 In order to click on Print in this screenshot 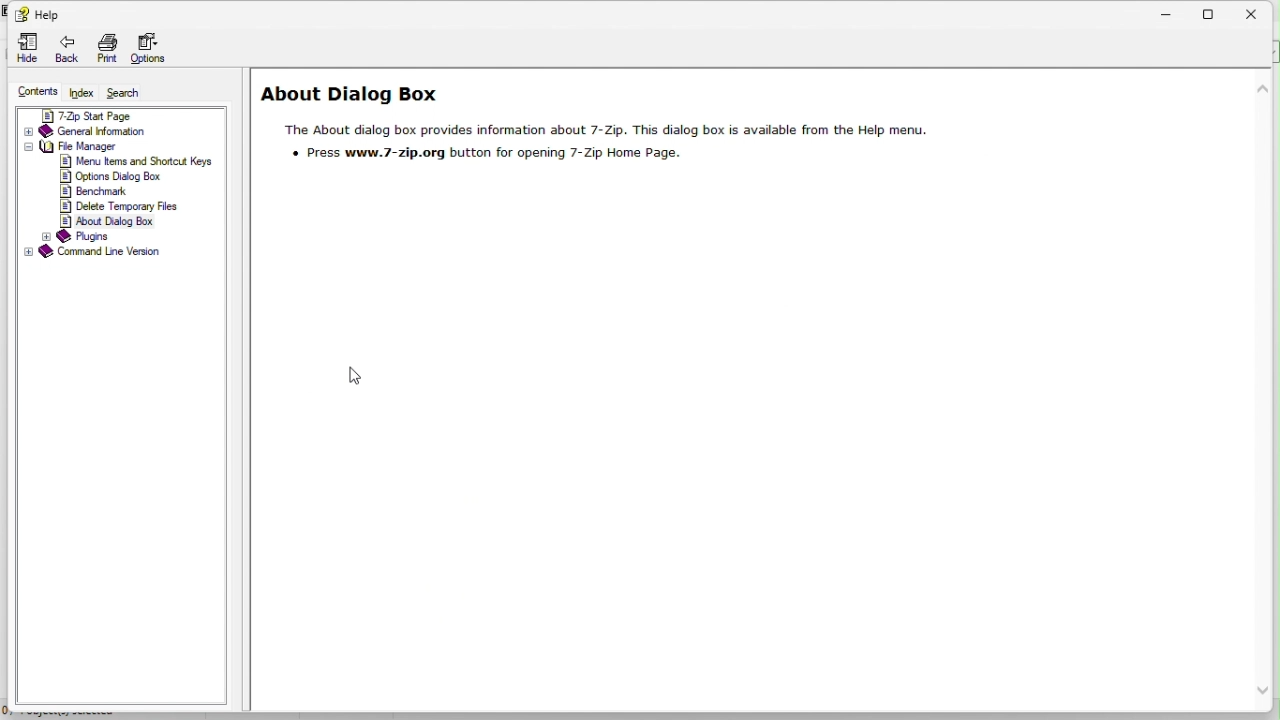, I will do `click(106, 50)`.